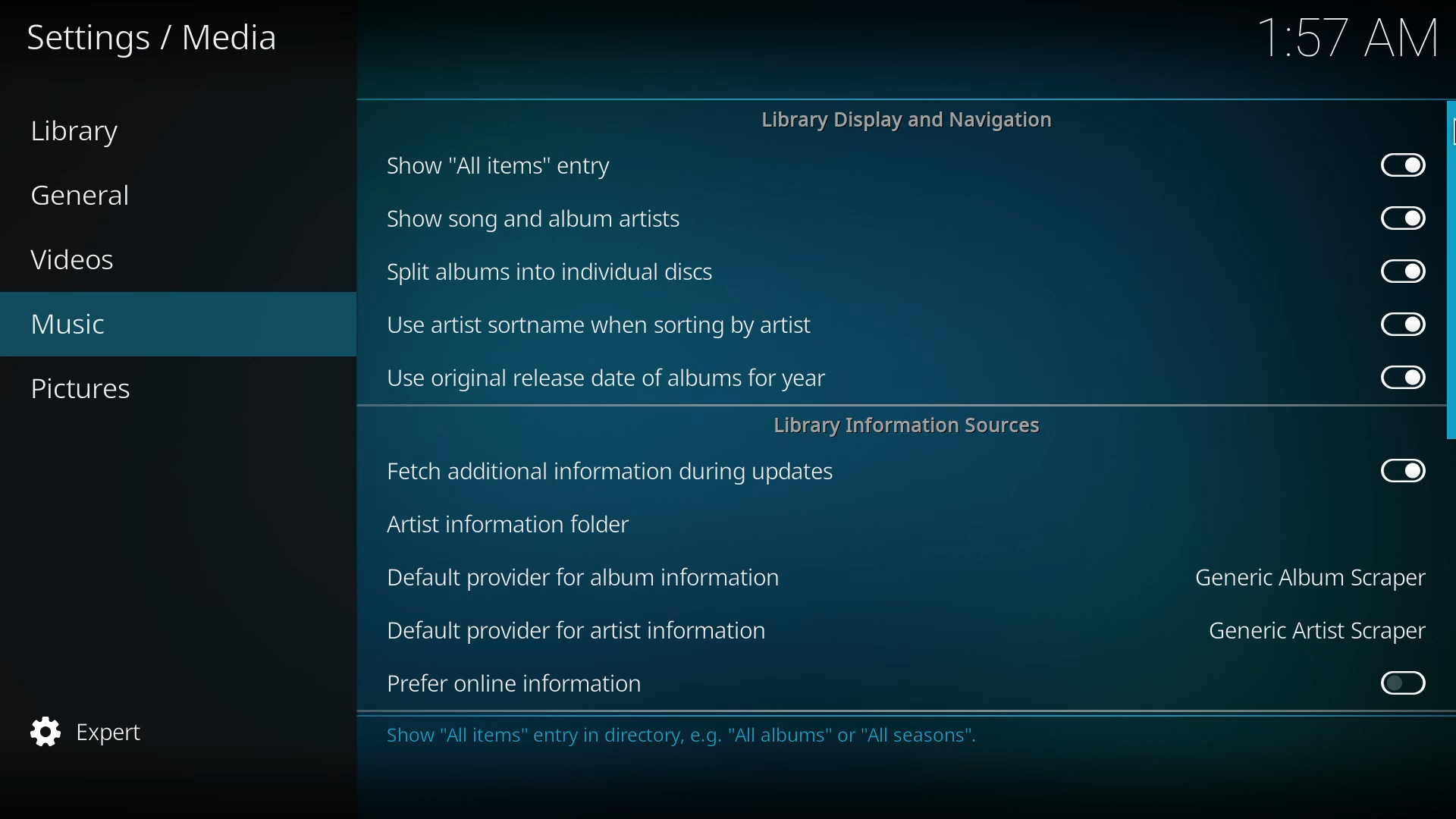 This screenshot has height=819, width=1456. Describe the element at coordinates (607, 381) in the screenshot. I see `use original release date of albums` at that location.